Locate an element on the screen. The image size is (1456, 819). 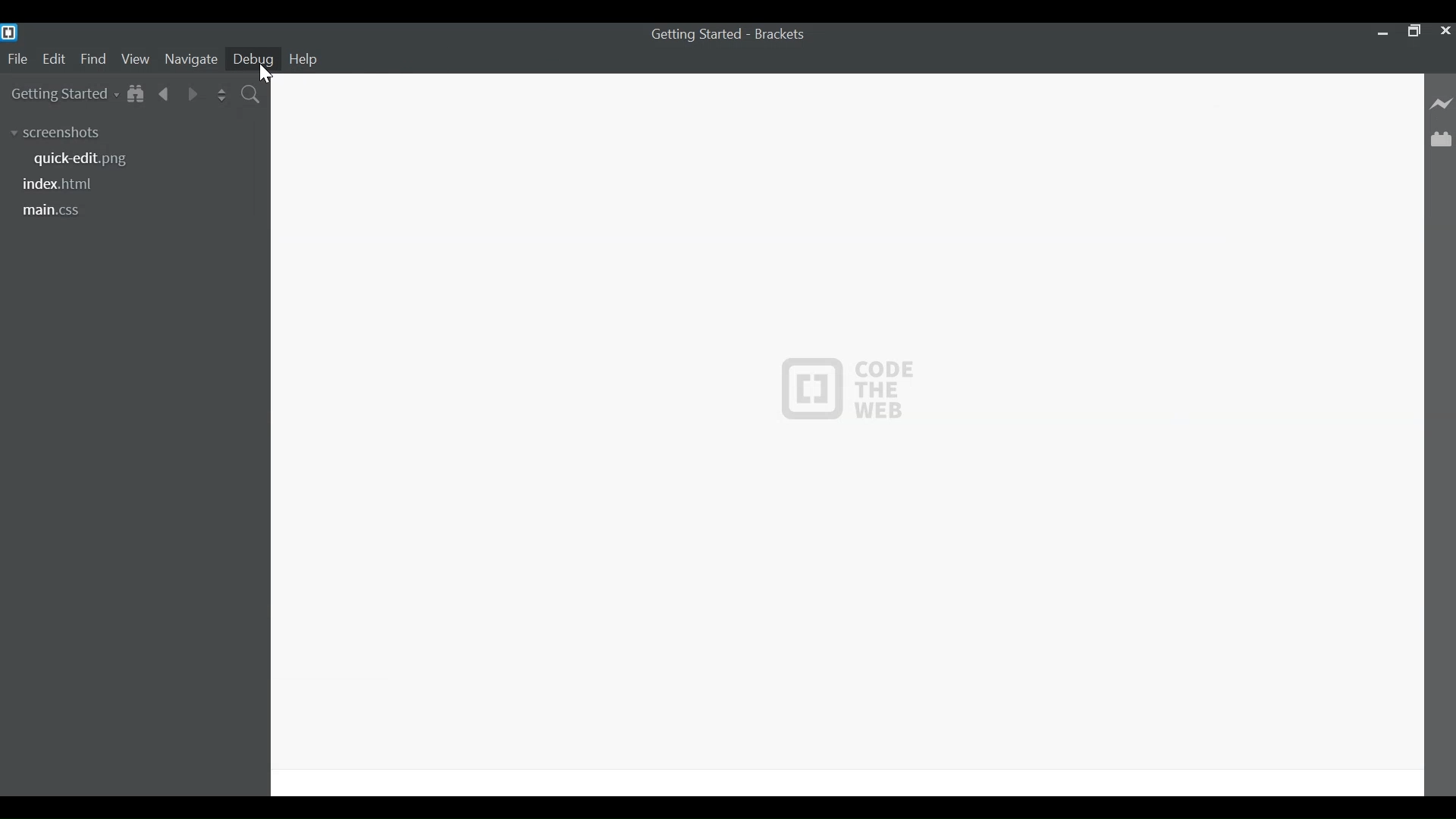
Debug is located at coordinates (252, 58).